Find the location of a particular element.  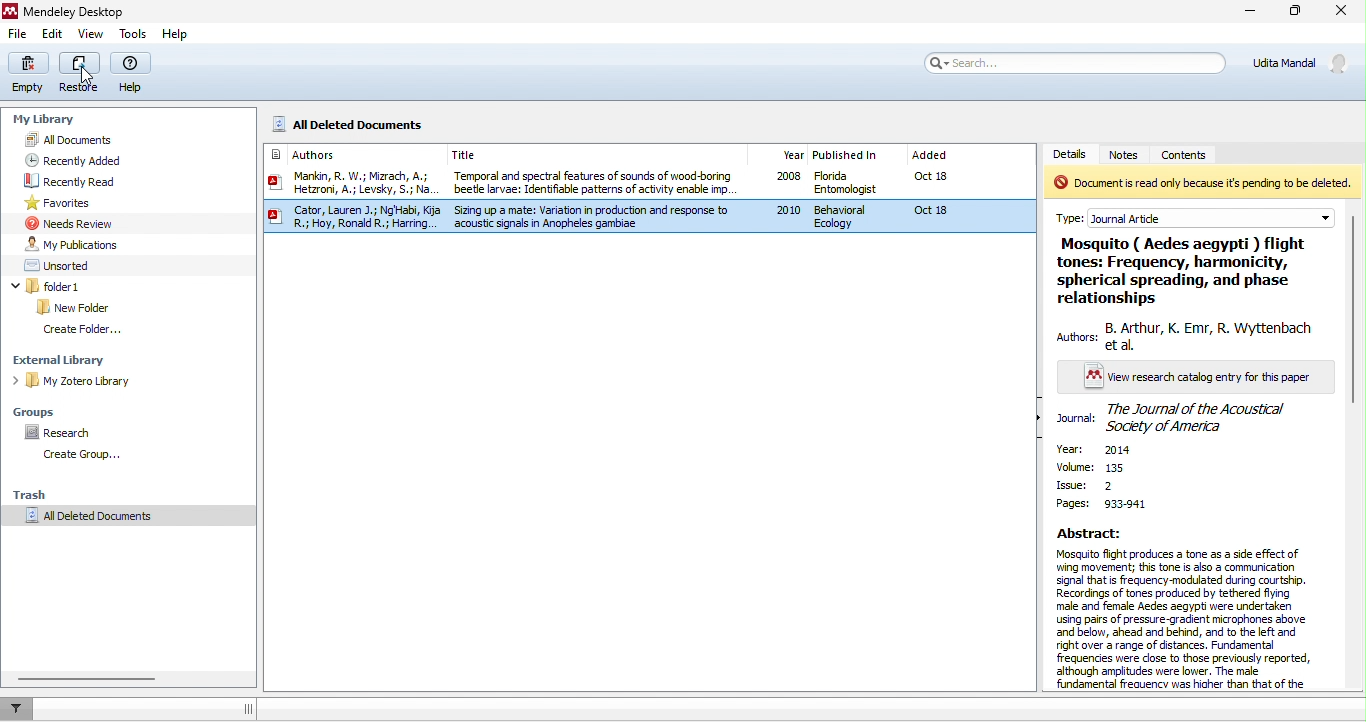

All deleted documents is located at coordinates (368, 123).